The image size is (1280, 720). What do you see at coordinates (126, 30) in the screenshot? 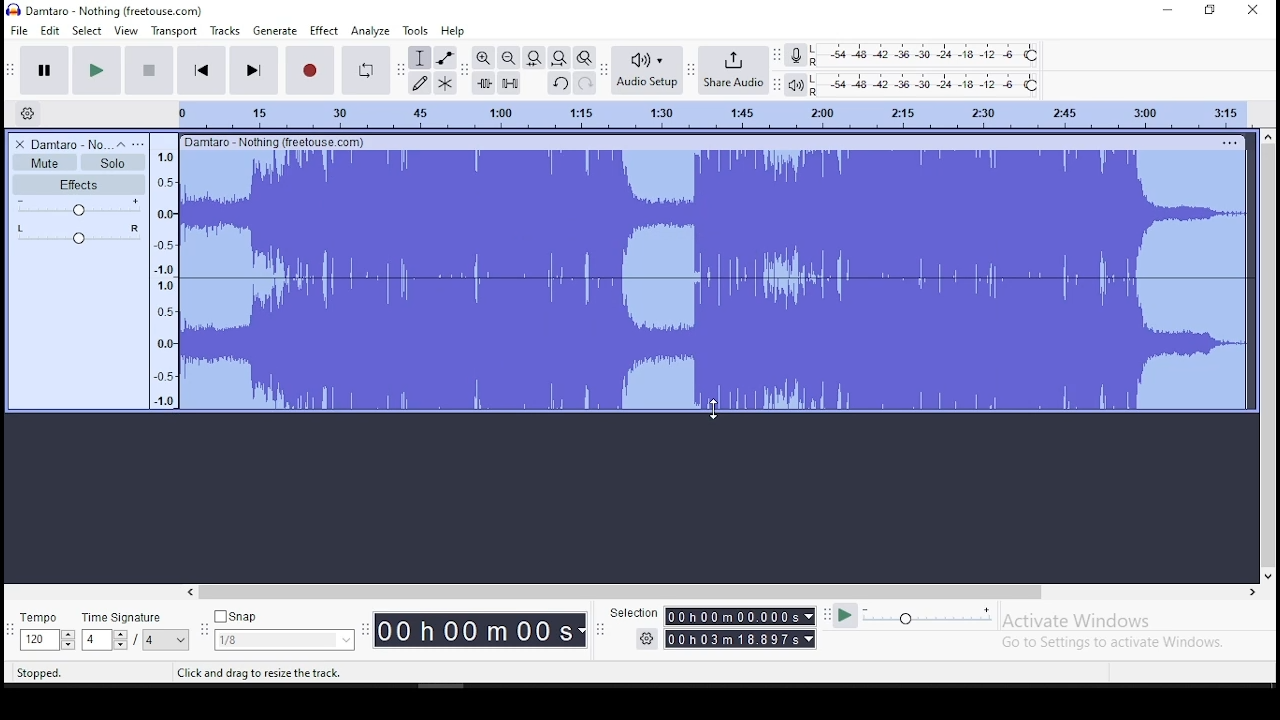
I see `view` at bounding box center [126, 30].